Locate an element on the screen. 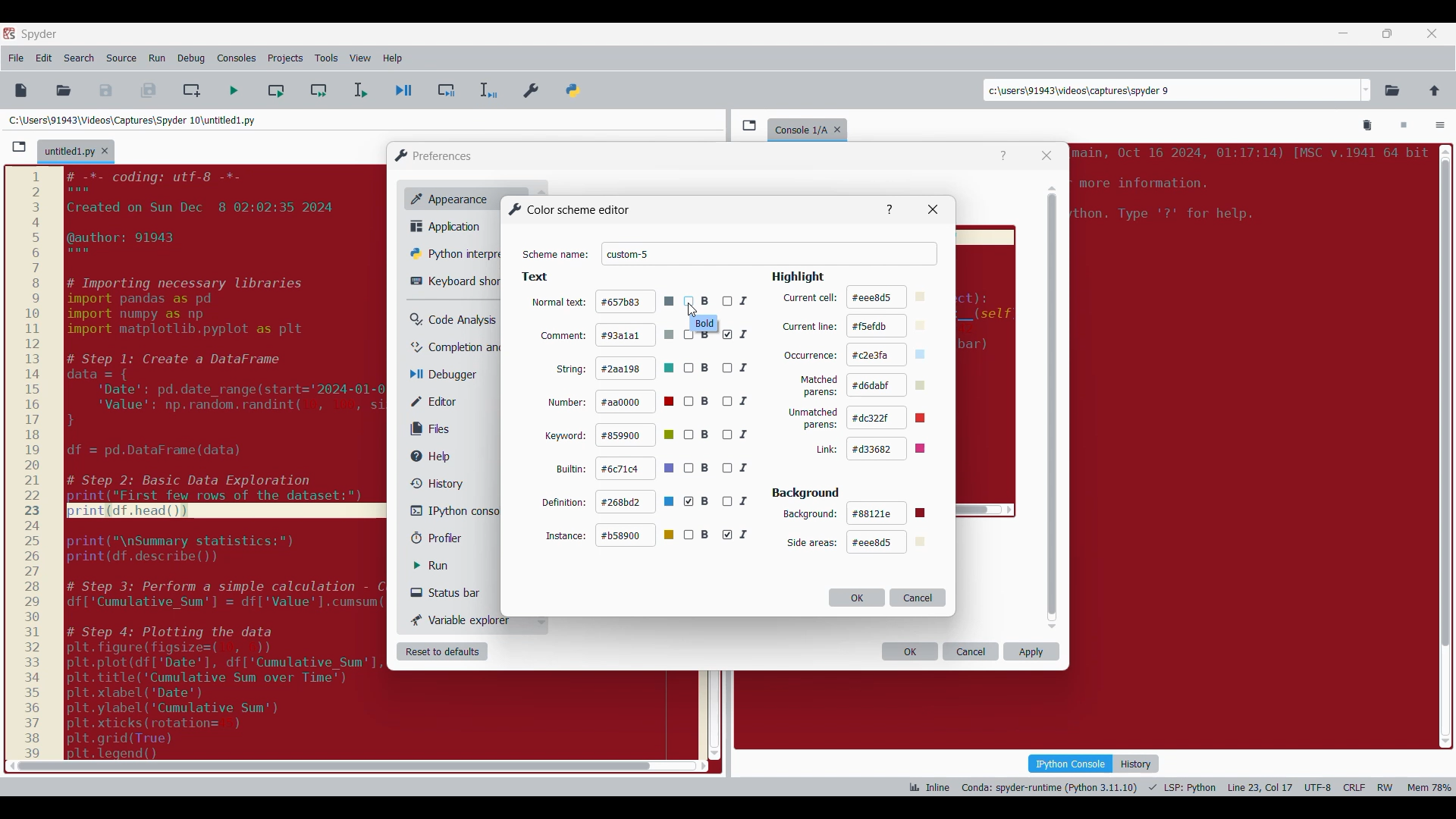  Profiler is located at coordinates (450, 538).